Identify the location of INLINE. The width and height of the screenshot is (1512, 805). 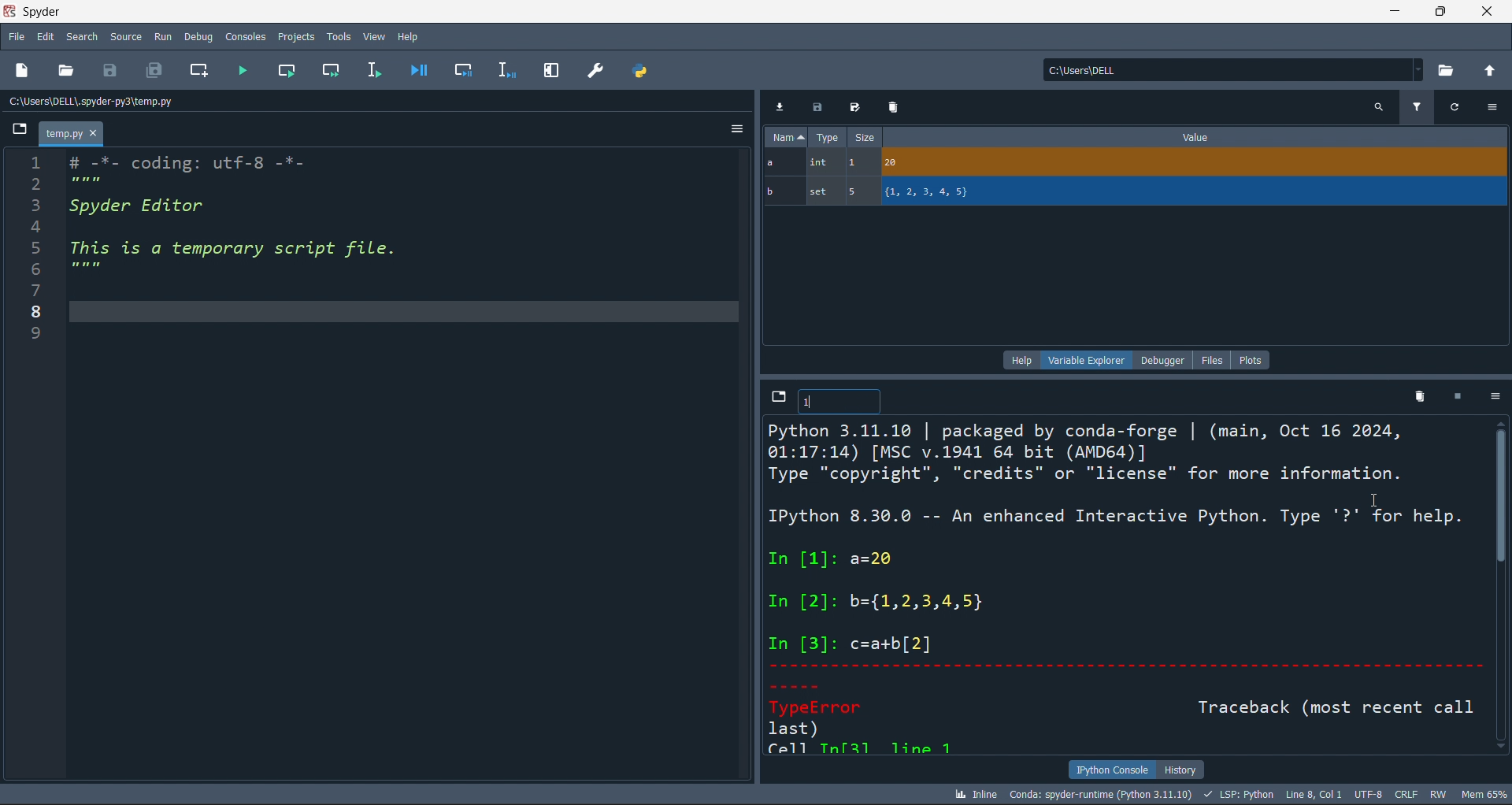
(973, 793).